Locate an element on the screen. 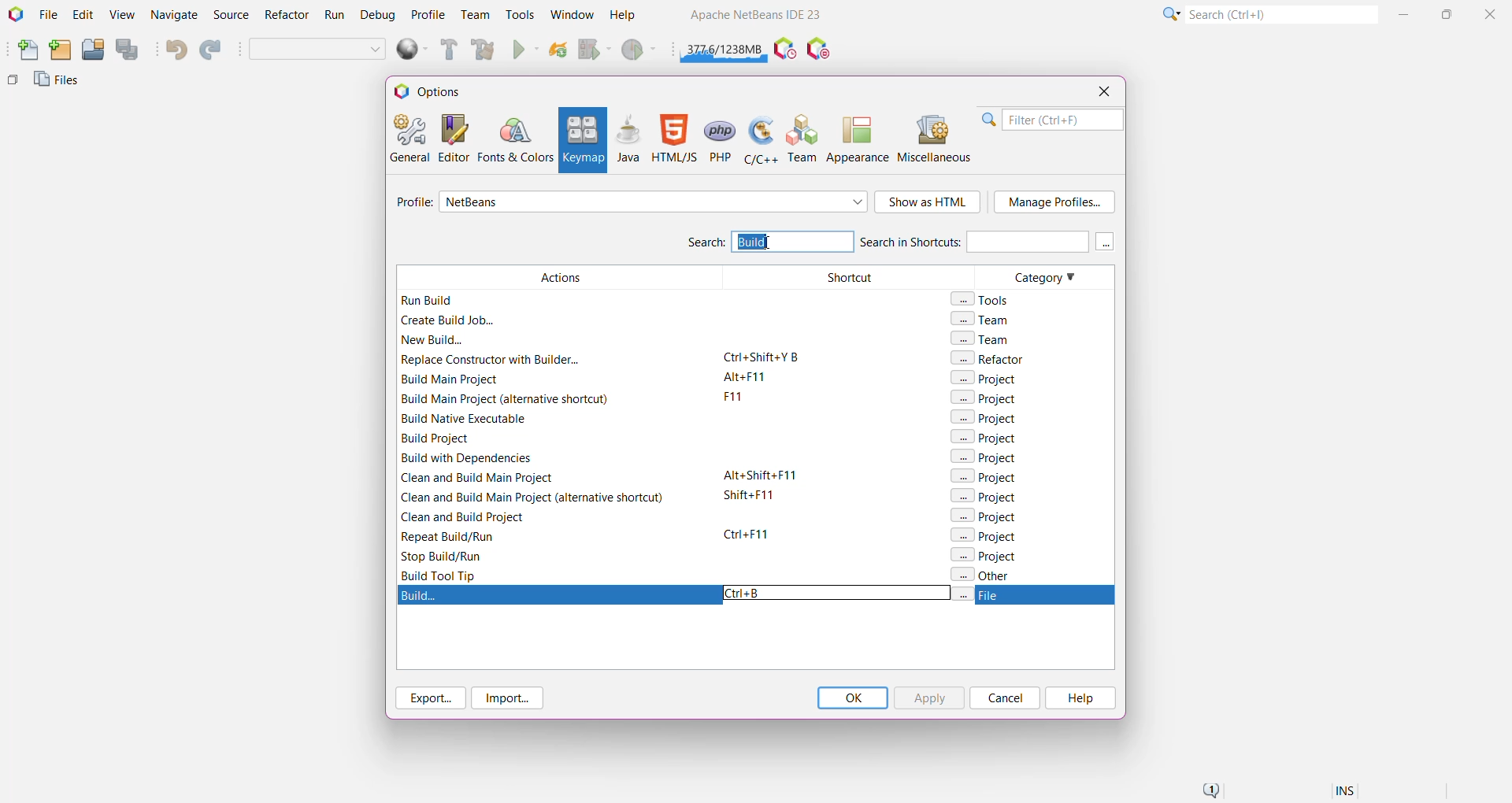  Fonts and Colors is located at coordinates (515, 139).